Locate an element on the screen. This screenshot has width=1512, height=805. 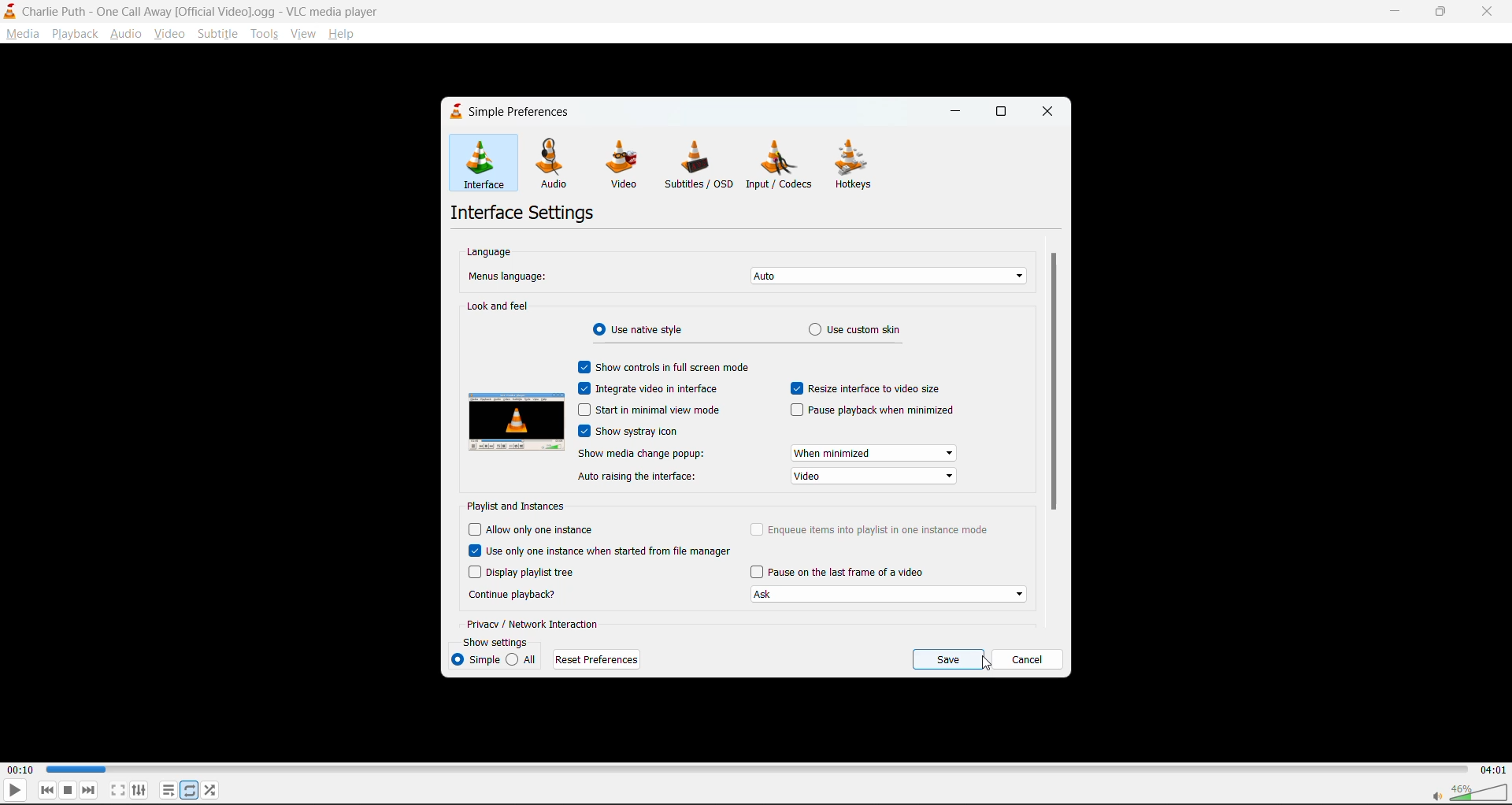
preview is located at coordinates (517, 421).